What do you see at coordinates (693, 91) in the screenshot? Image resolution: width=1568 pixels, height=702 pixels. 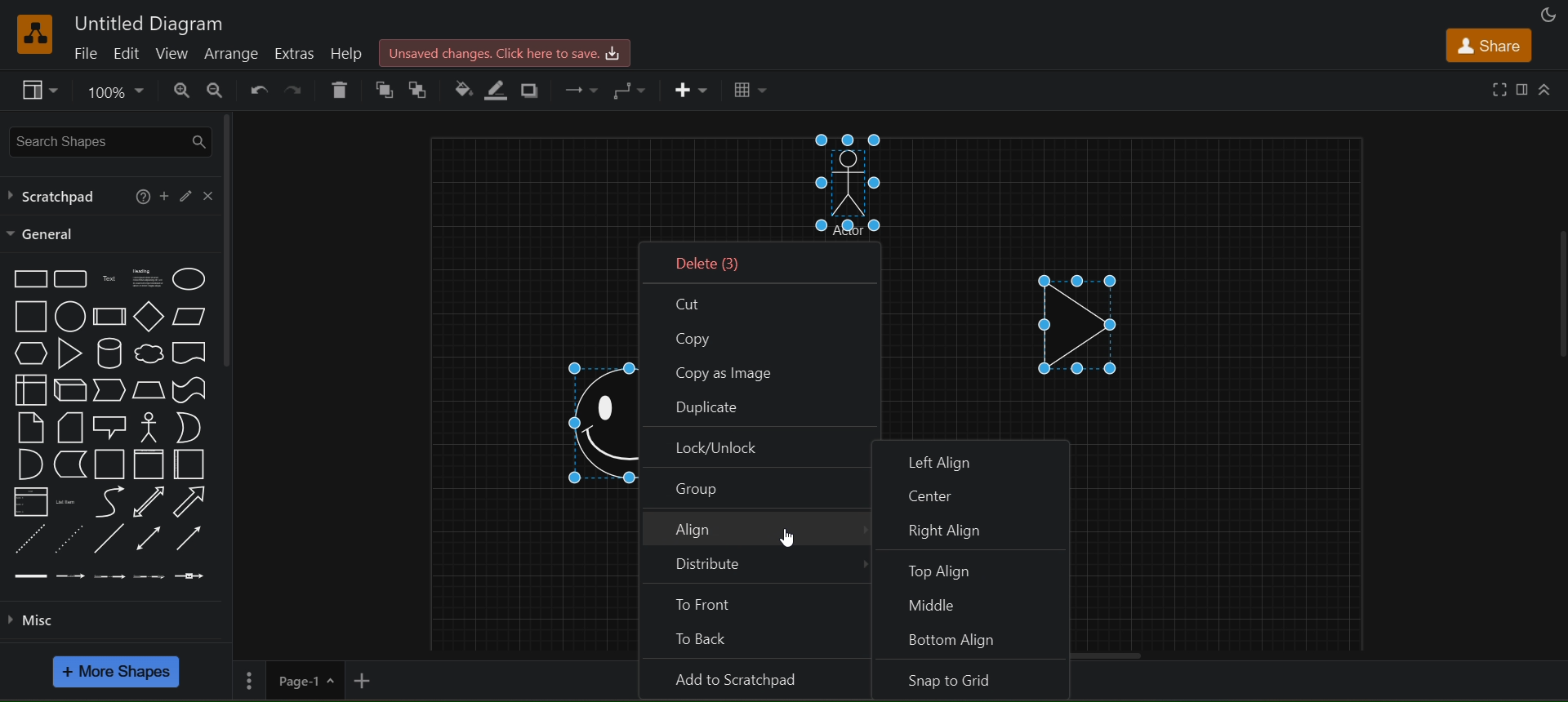 I see `insert ` at bounding box center [693, 91].